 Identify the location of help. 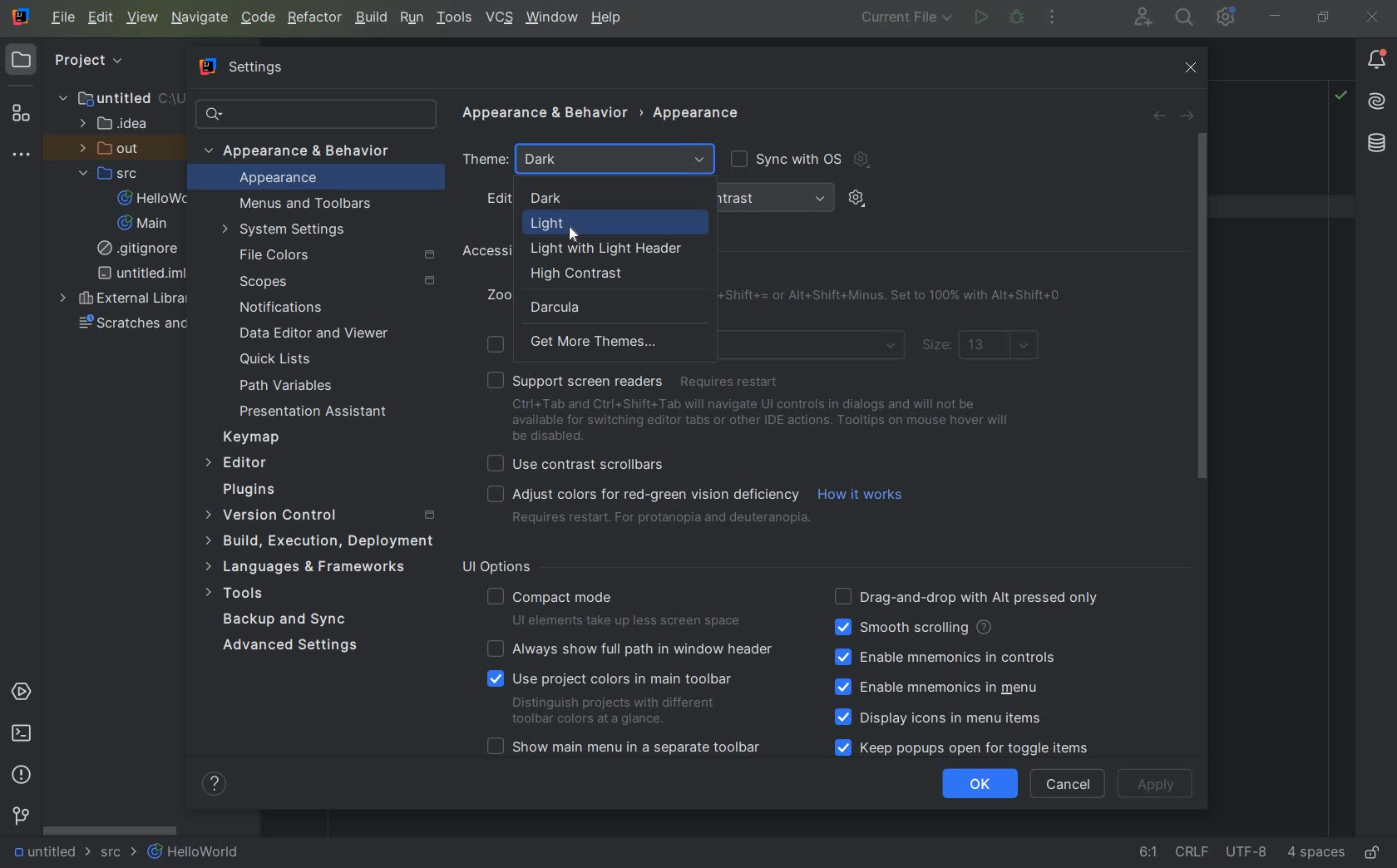
(217, 784).